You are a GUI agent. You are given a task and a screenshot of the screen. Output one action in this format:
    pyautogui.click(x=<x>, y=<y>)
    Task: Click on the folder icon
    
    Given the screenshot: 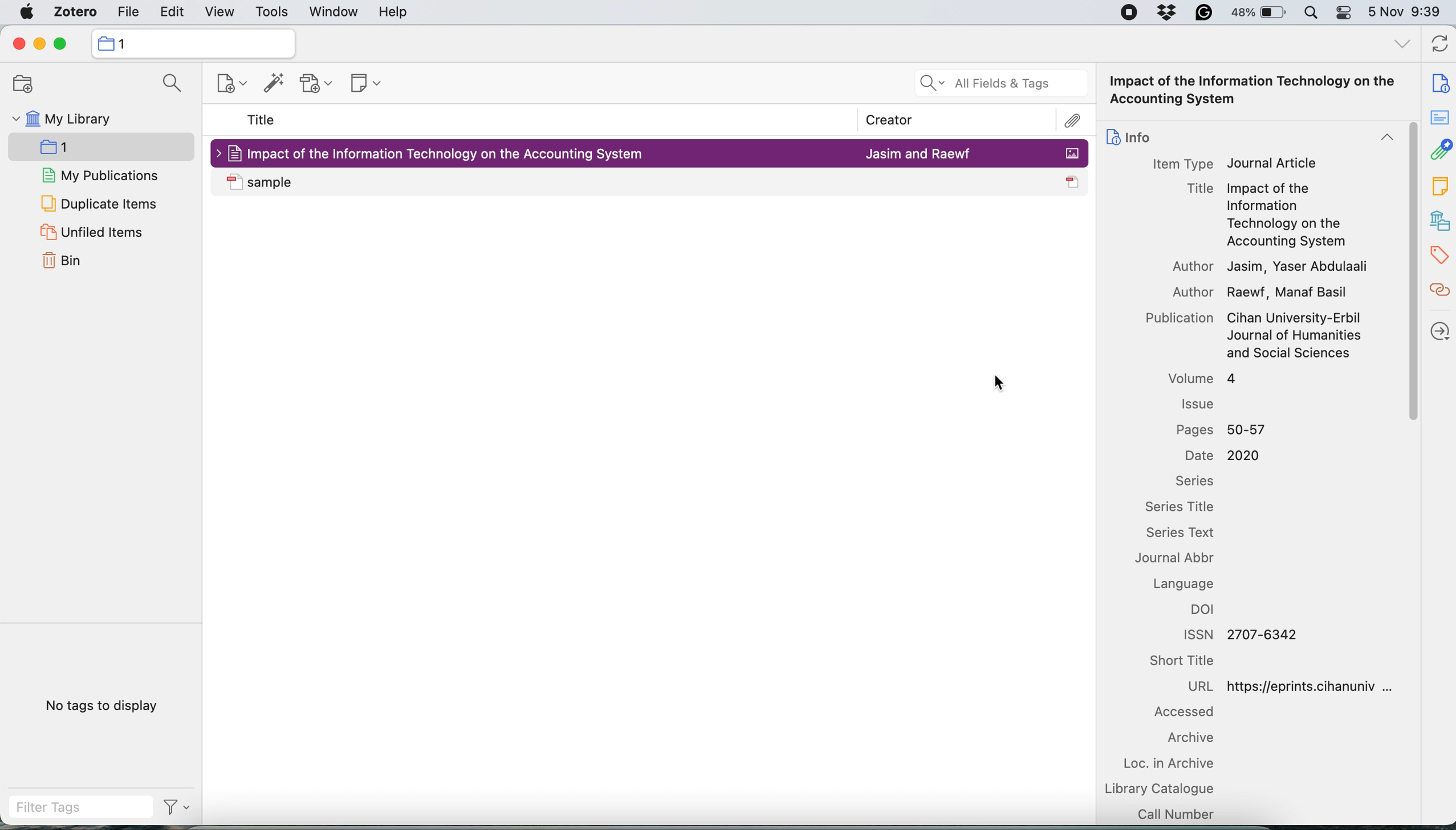 What is the action you would take?
    pyautogui.click(x=105, y=43)
    